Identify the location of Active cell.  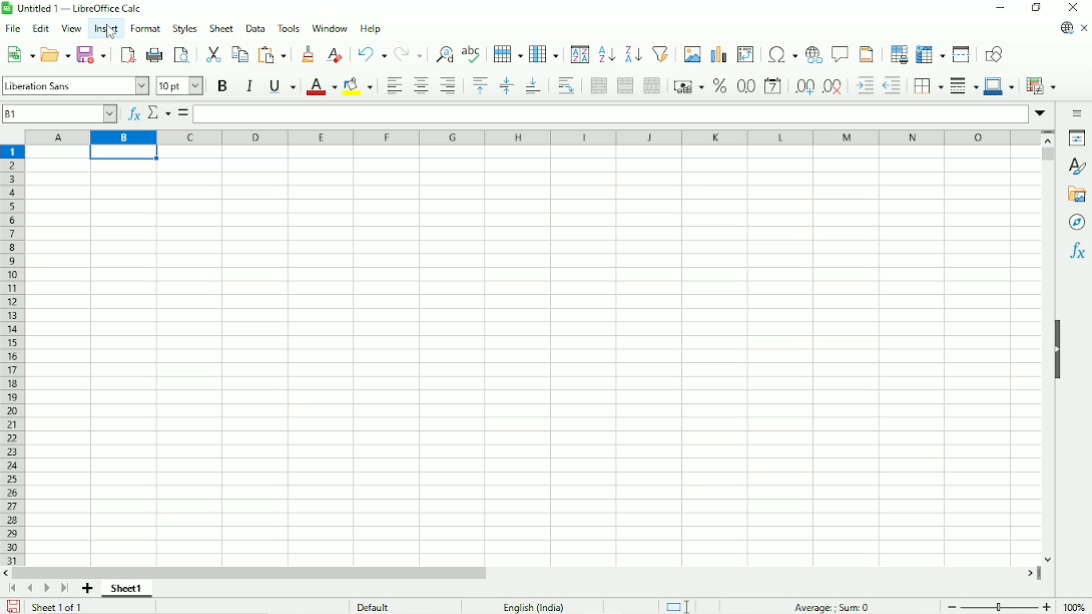
(123, 153).